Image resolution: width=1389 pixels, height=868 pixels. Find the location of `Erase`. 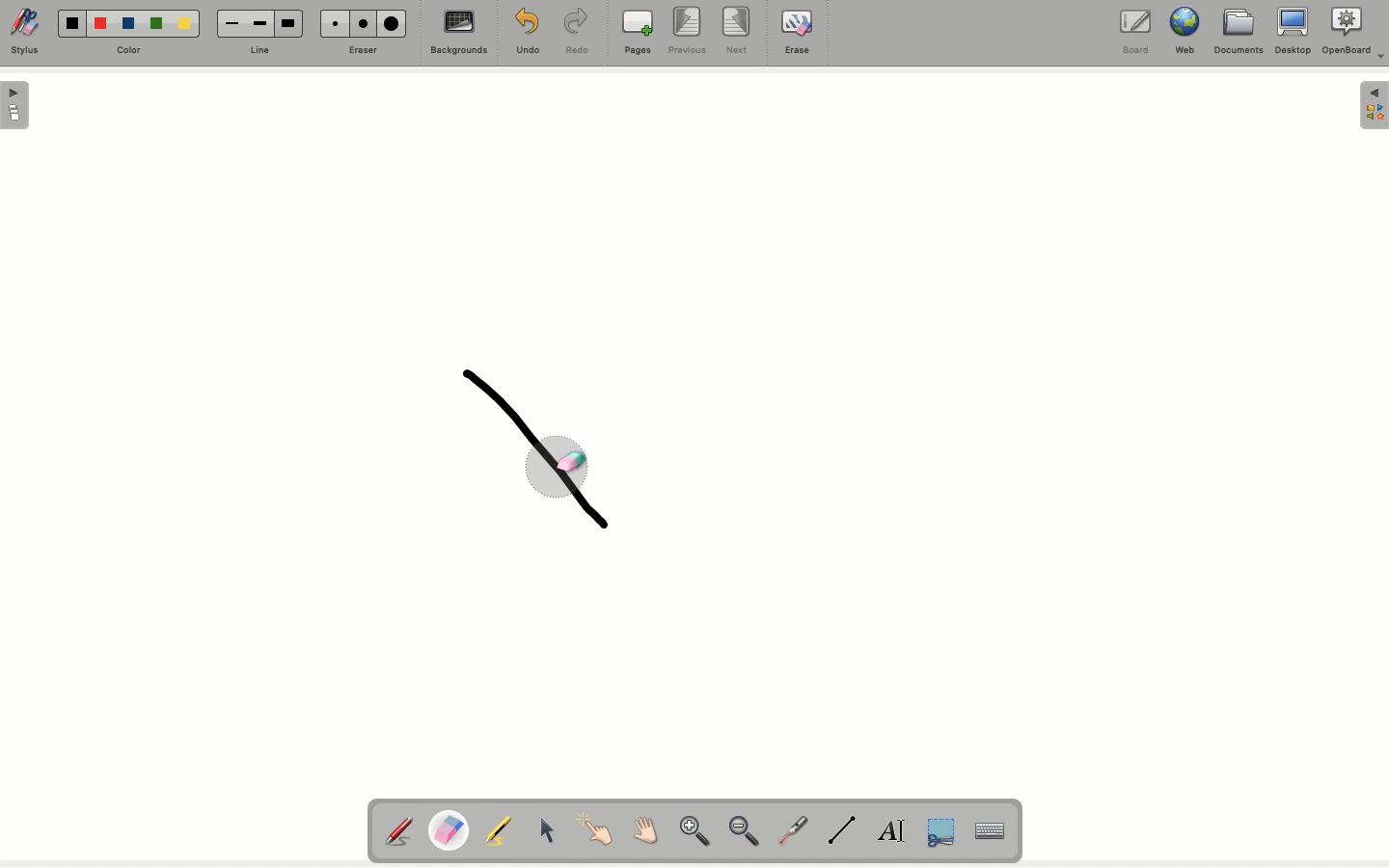

Erase is located at coordinates (362, 51).